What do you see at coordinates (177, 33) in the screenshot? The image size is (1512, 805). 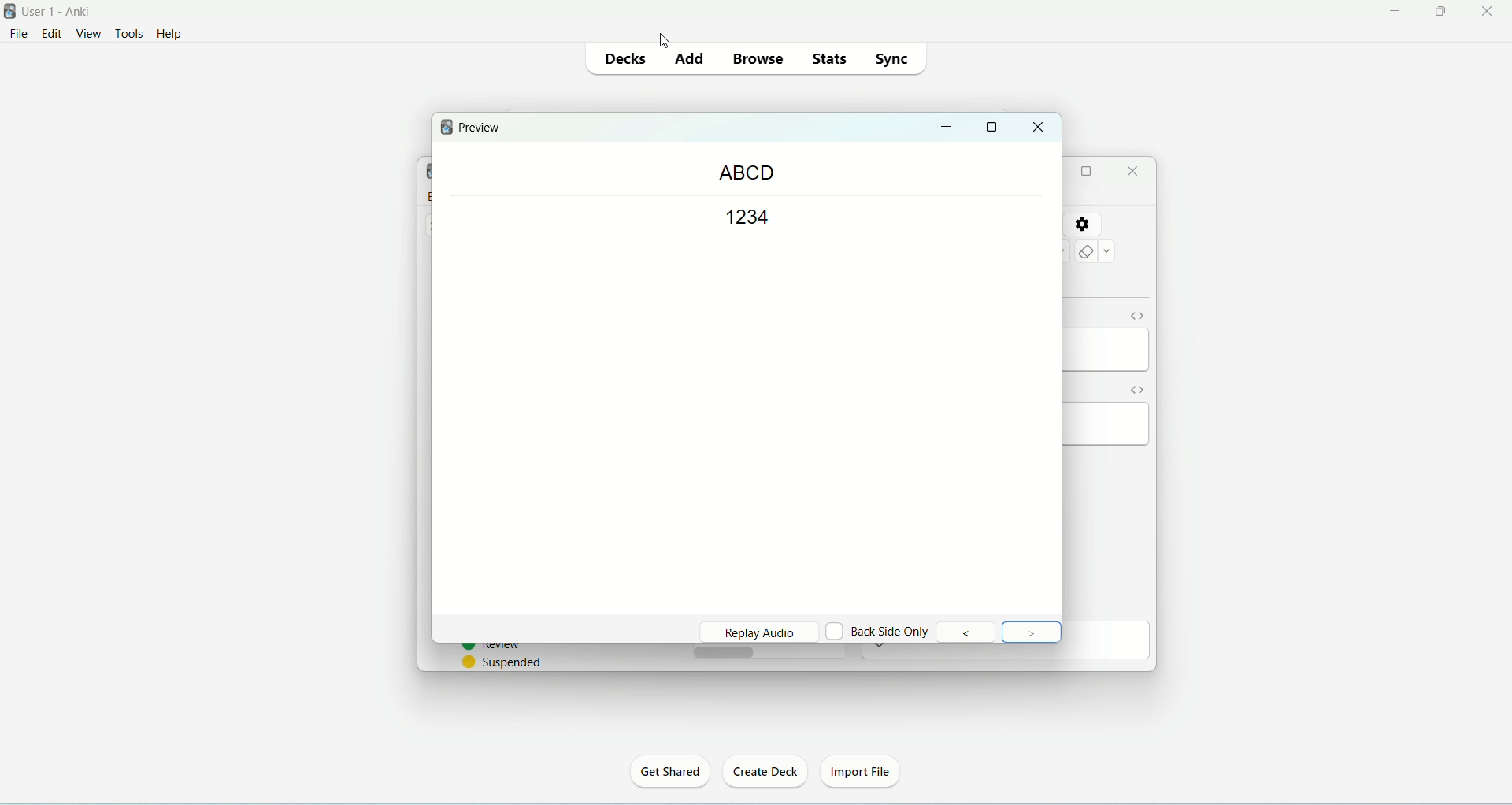 I see `help` at bounding box center [177, 33].